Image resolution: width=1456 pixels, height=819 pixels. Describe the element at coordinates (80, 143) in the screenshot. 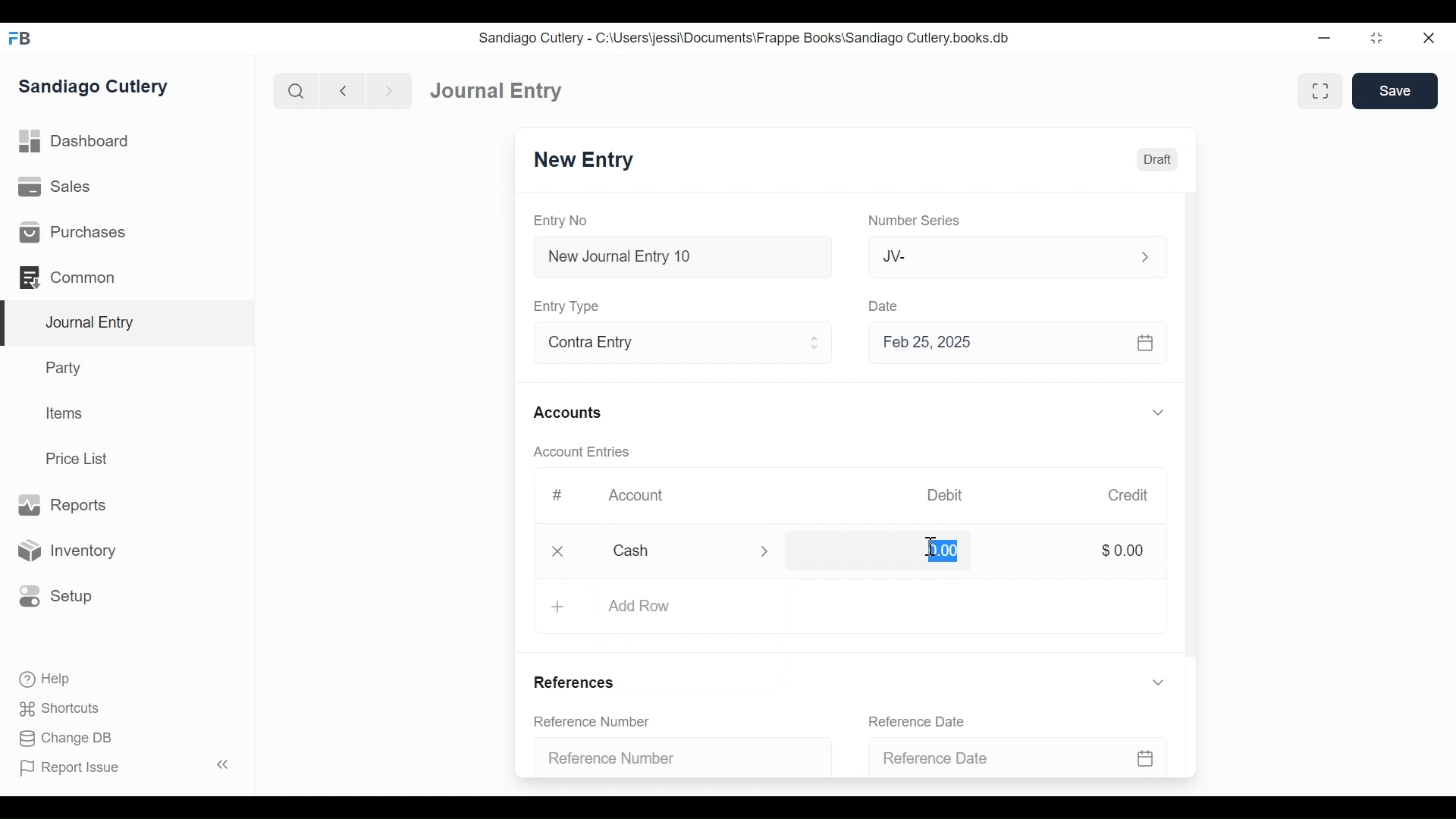

I see `Dashboard` at that location.